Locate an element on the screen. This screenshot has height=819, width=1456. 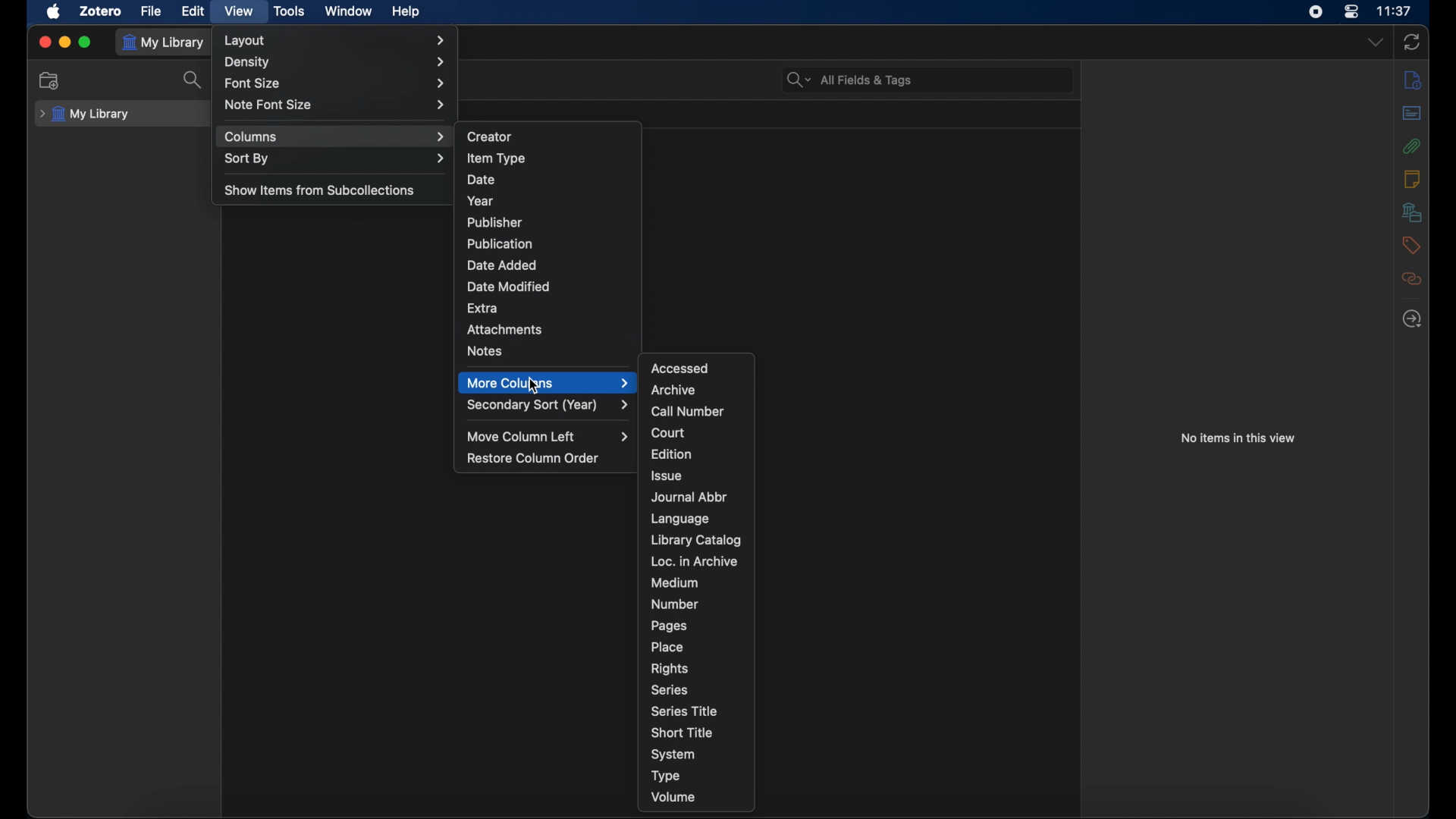
libraries is located at coordinates (1412, 212).